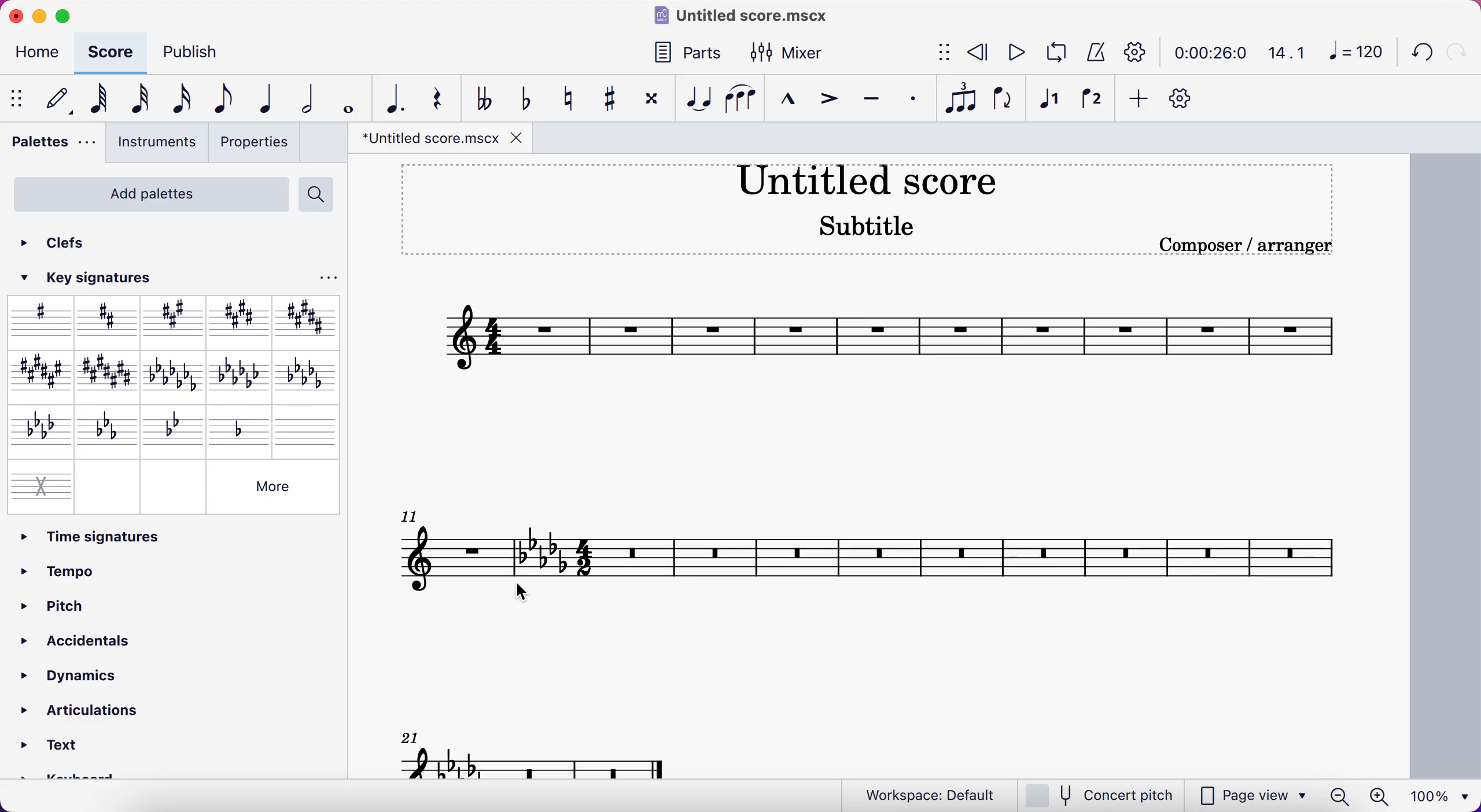 This screenshot has width=1481, height=812. Describe the element at coordinates (1095, 102) in the screenshot. I see `voice 2` at that location.